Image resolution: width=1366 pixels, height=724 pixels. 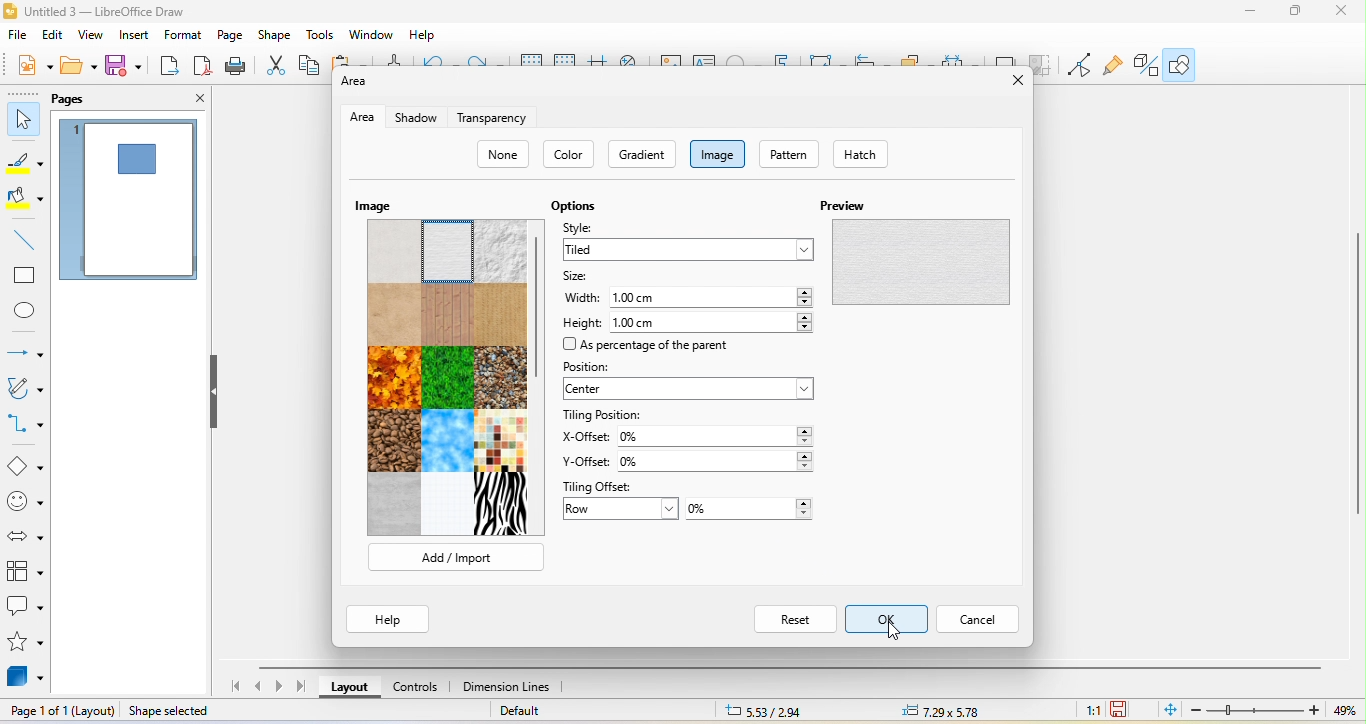 I want to click on previous page, so click(x=258, y=686).